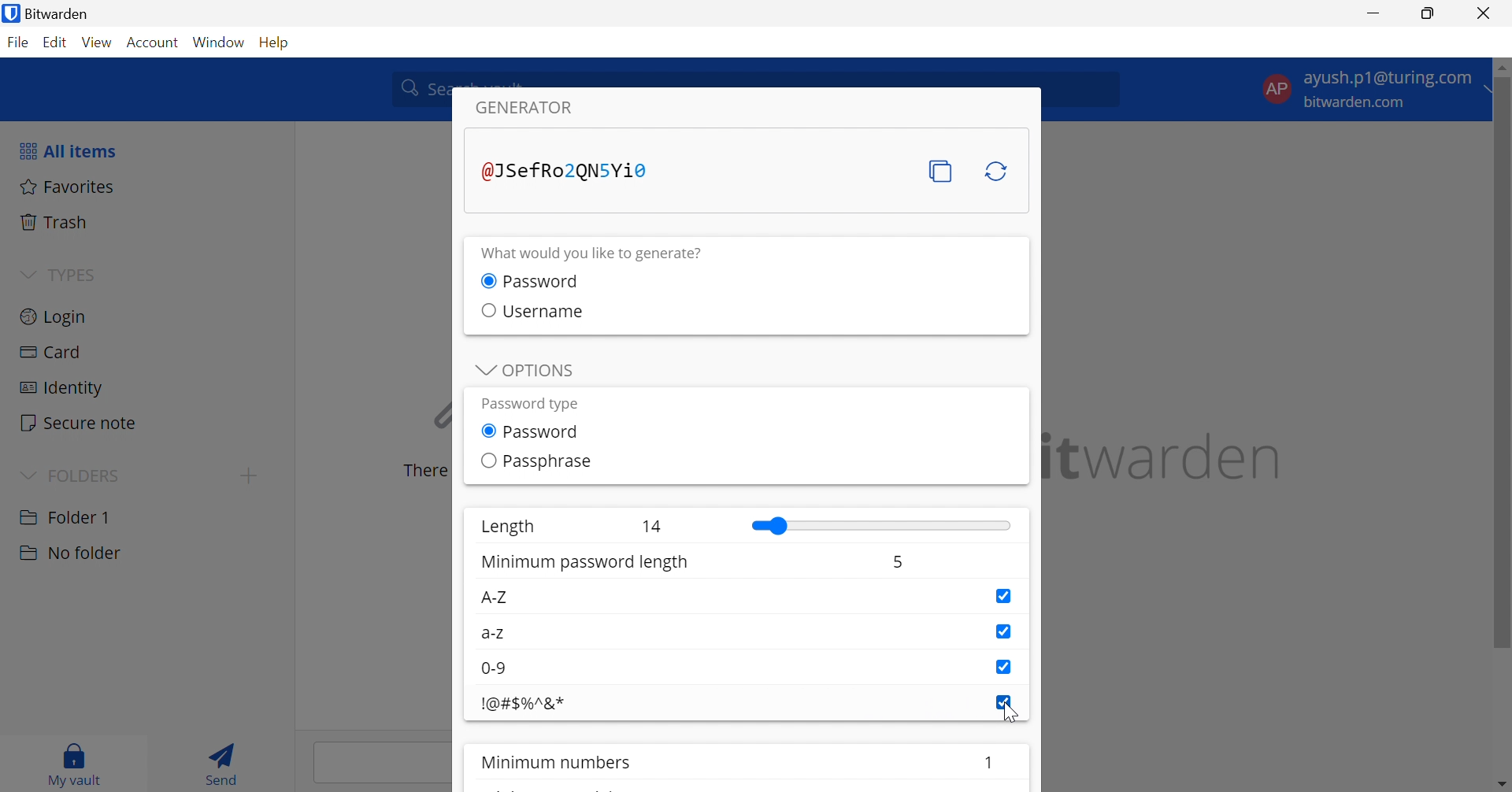 The image size is (1512, 792). What do you see at coordinates (990, 760) in the screenshot?
I see `1` at bounding box center [990, 760].